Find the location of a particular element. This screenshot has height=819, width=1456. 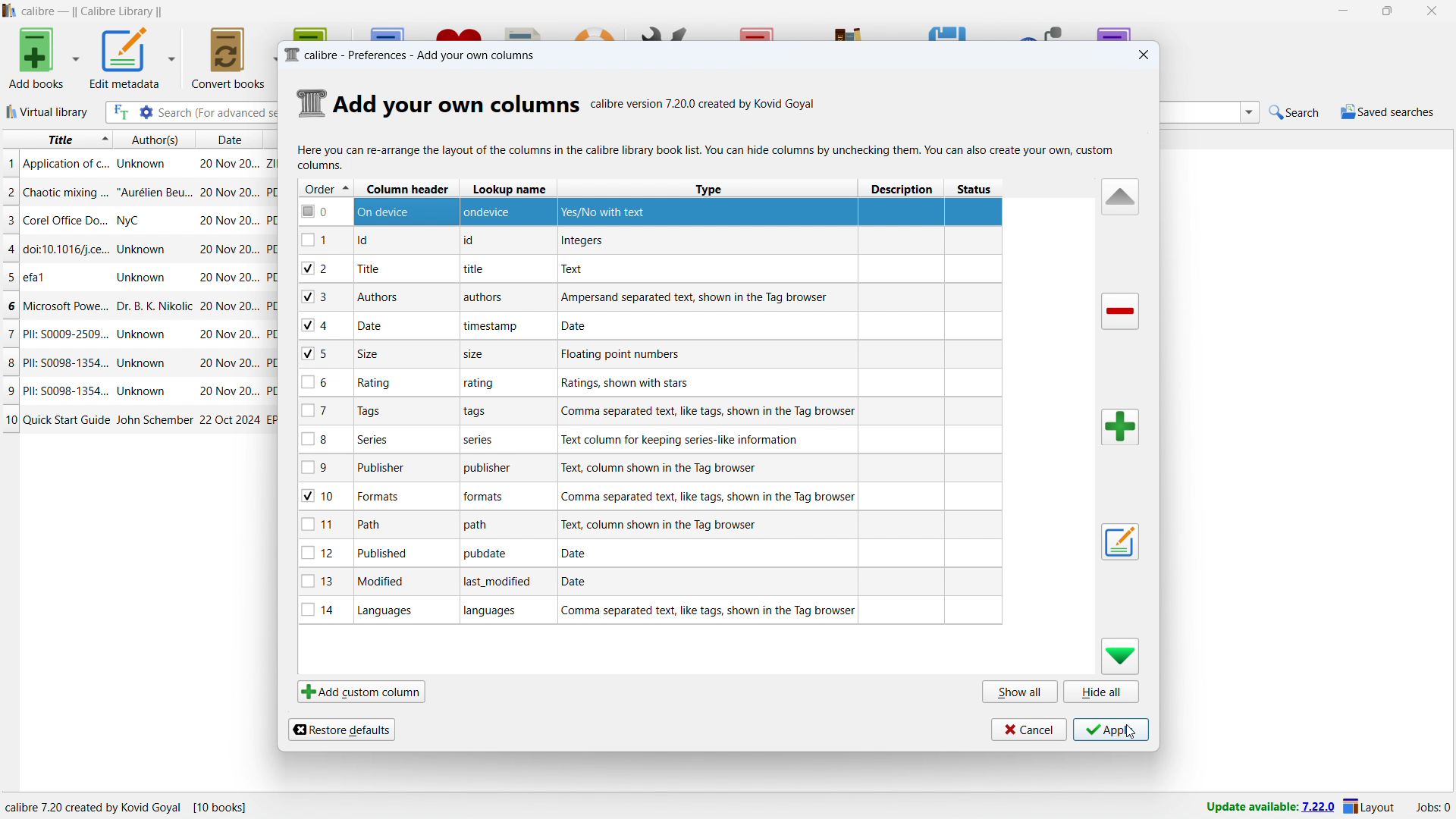

date is located at coordinates (229, 392).